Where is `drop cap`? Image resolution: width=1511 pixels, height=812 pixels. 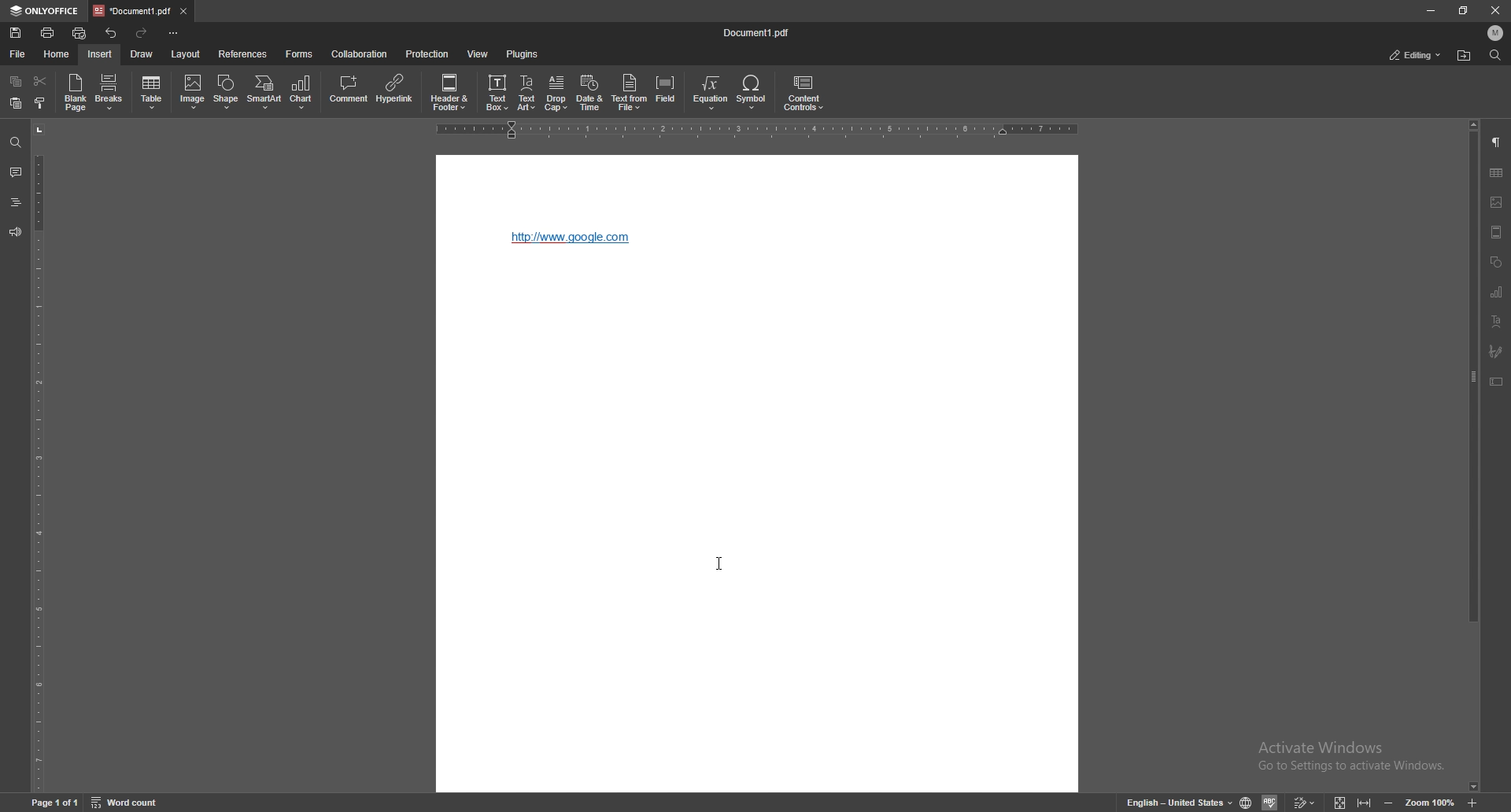
drop cap is located at coordinates (556, 93).